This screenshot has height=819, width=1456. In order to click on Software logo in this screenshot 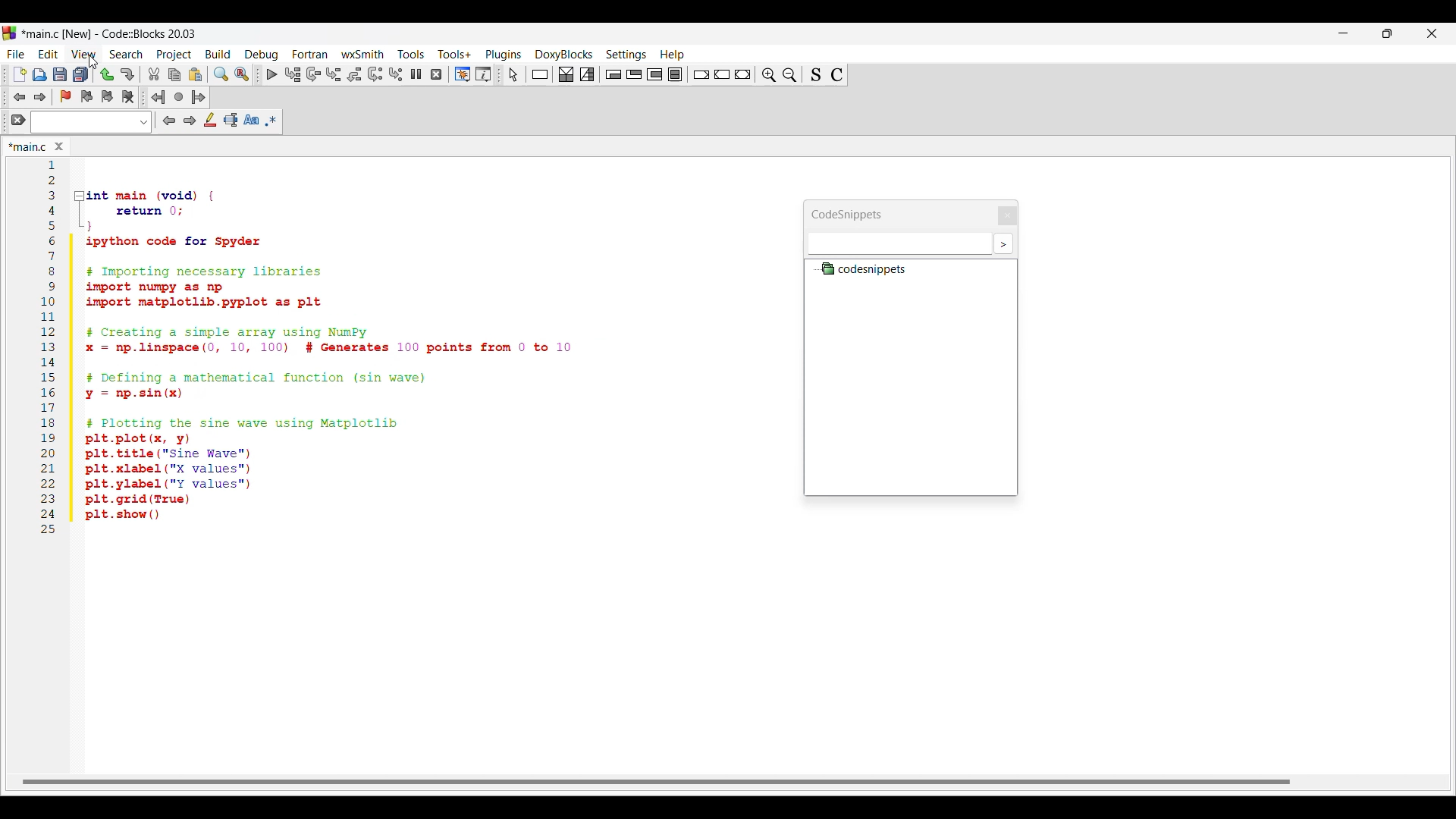, I will do `click(9, 33)`.